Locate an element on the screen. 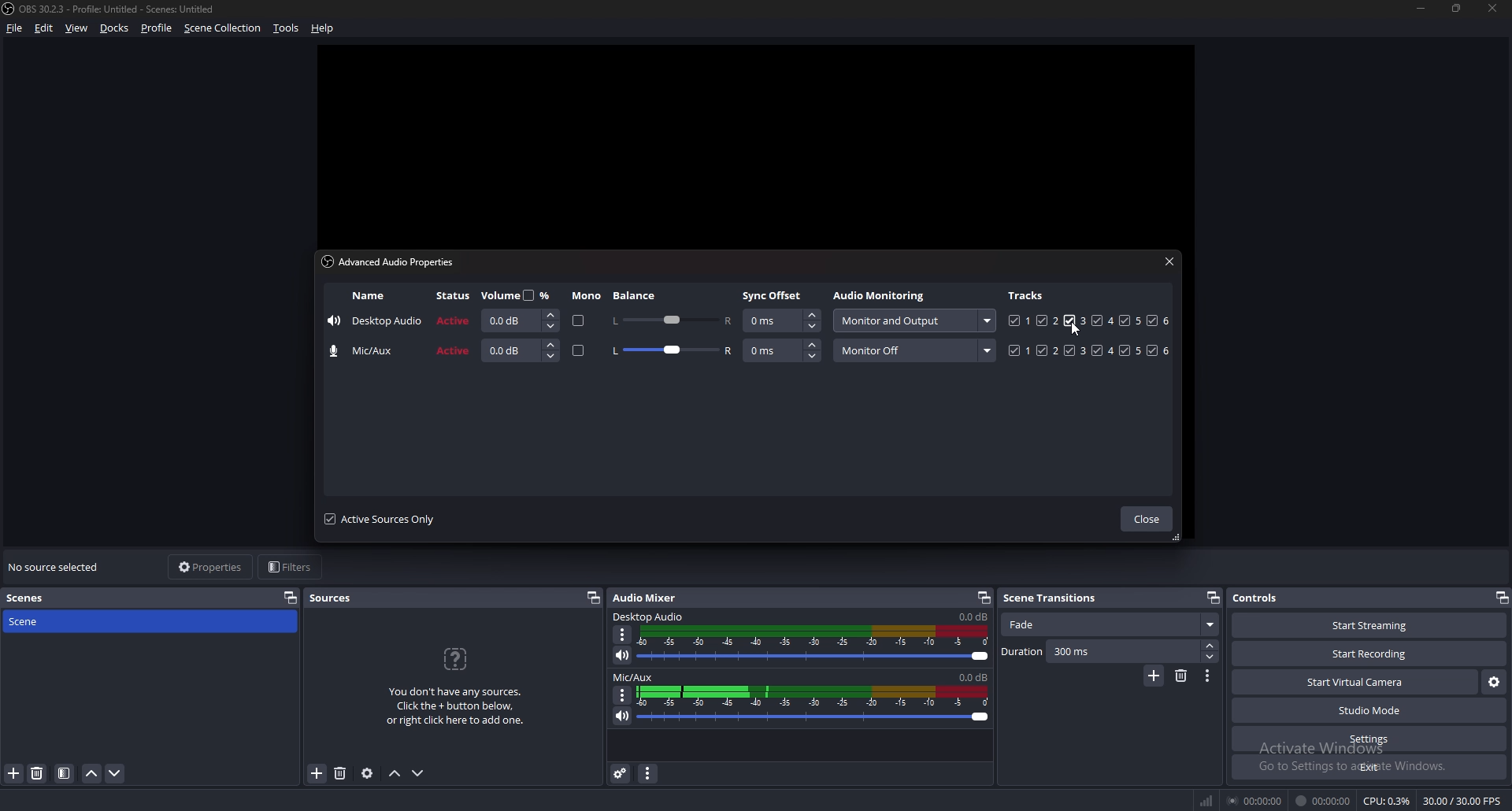 This screenshot has width=1512, height=811. add scene is located at coordinates (14, 774).